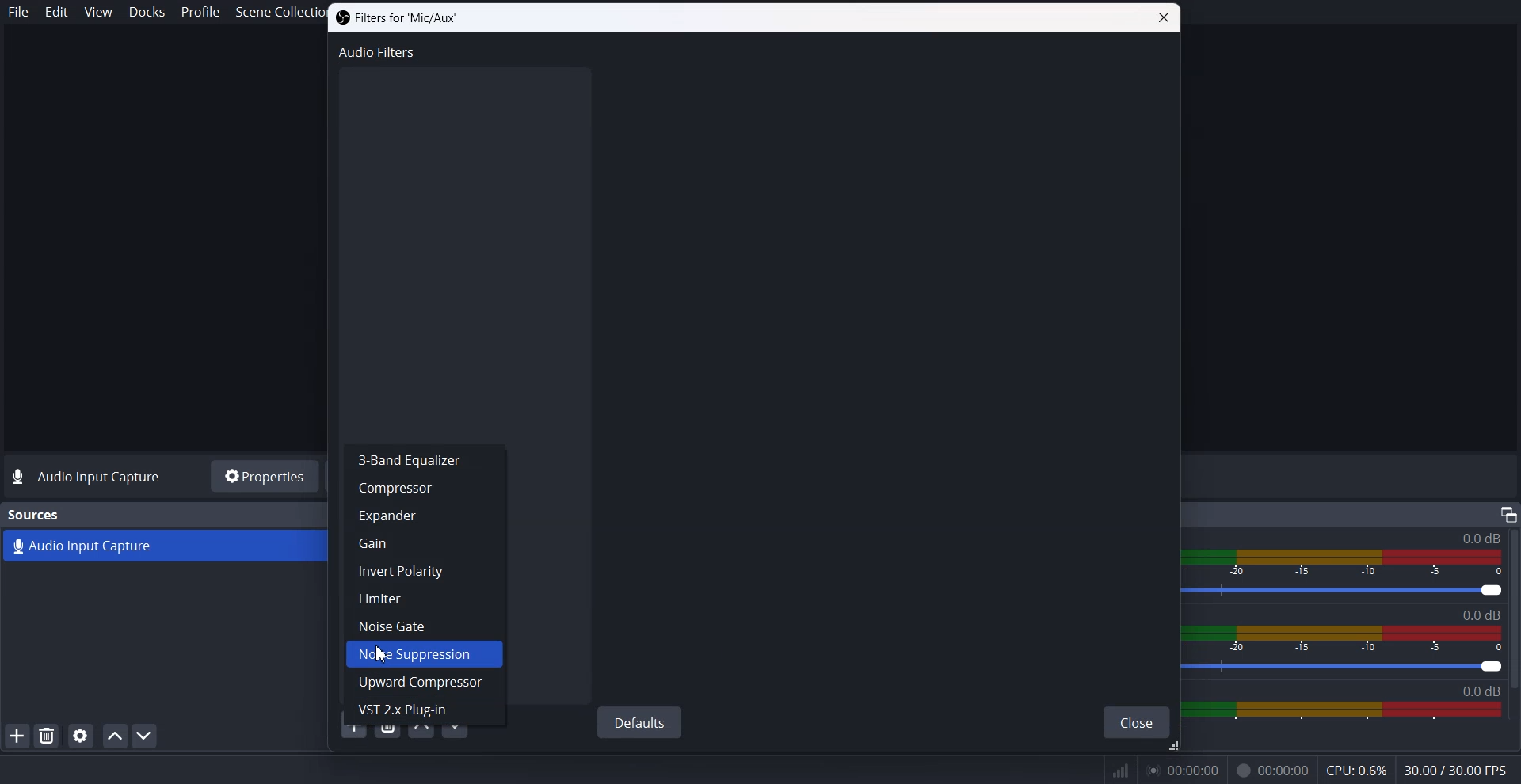 This screenshot has height=784, width=1521. What do you see at coordinates (17, 735) in the screenshot?
I see `Add Source` at bounding box center [17, 735].